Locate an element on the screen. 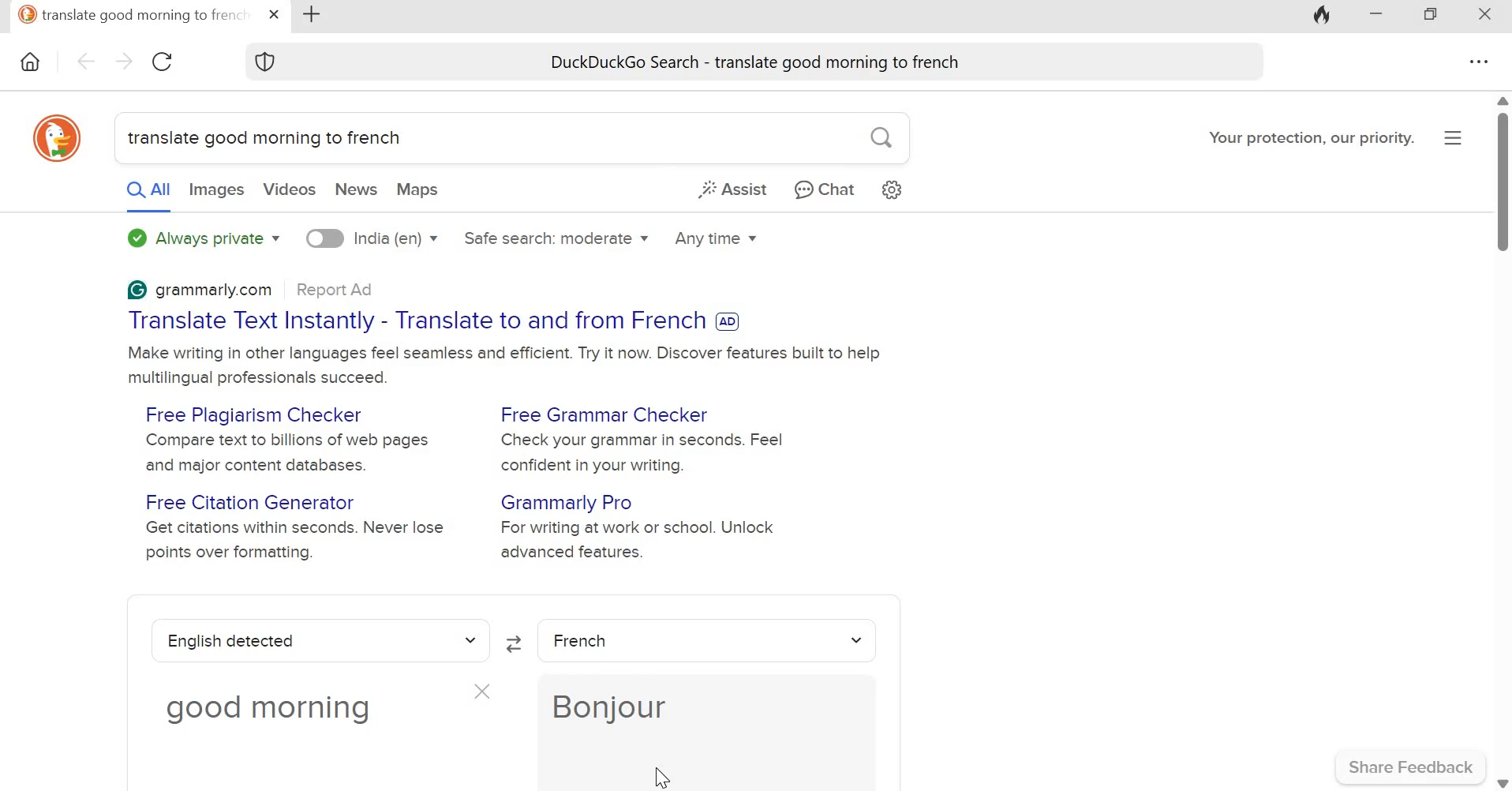 This screenshot has height=791, width=1512. Free Plagiarism Checker is located at coordinates (256, 414).